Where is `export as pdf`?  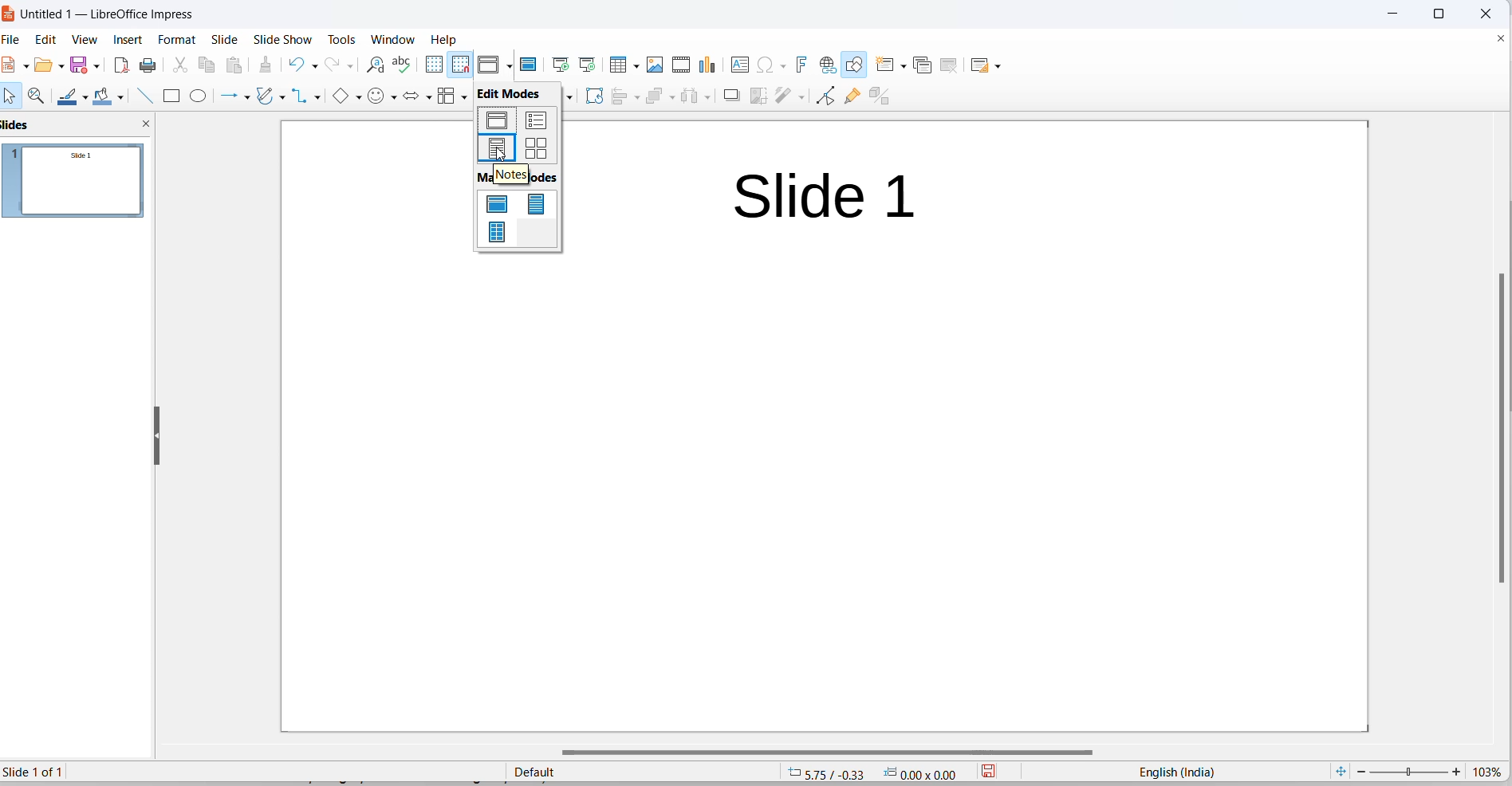
export as pdf is located at coordinates (121, 68).